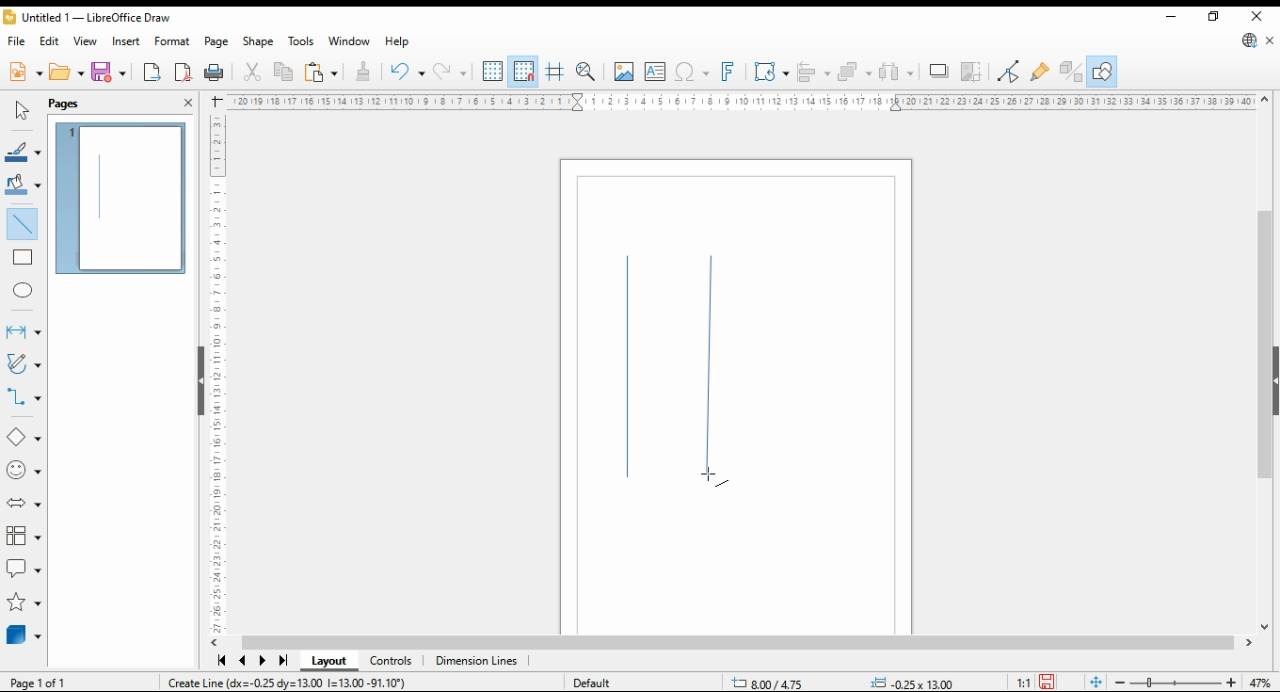 The width and height of the screenshot is (1280, 692). What do you see at coordinates (301, 40) in the screenshot?
I see `tools` at bounding box center [301, 40].